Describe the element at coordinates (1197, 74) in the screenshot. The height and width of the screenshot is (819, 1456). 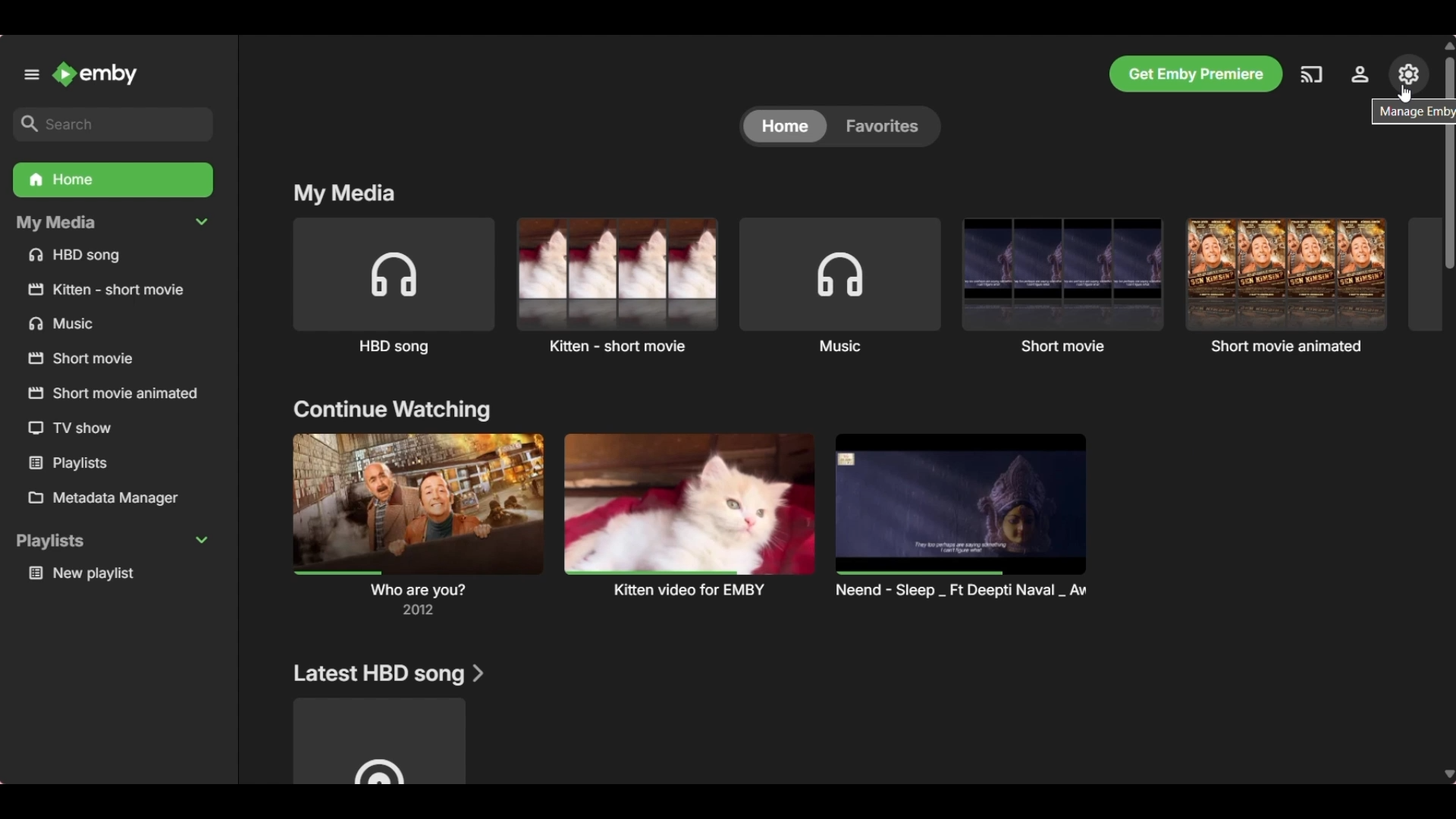
I see `Get Emby premiere` at that location.